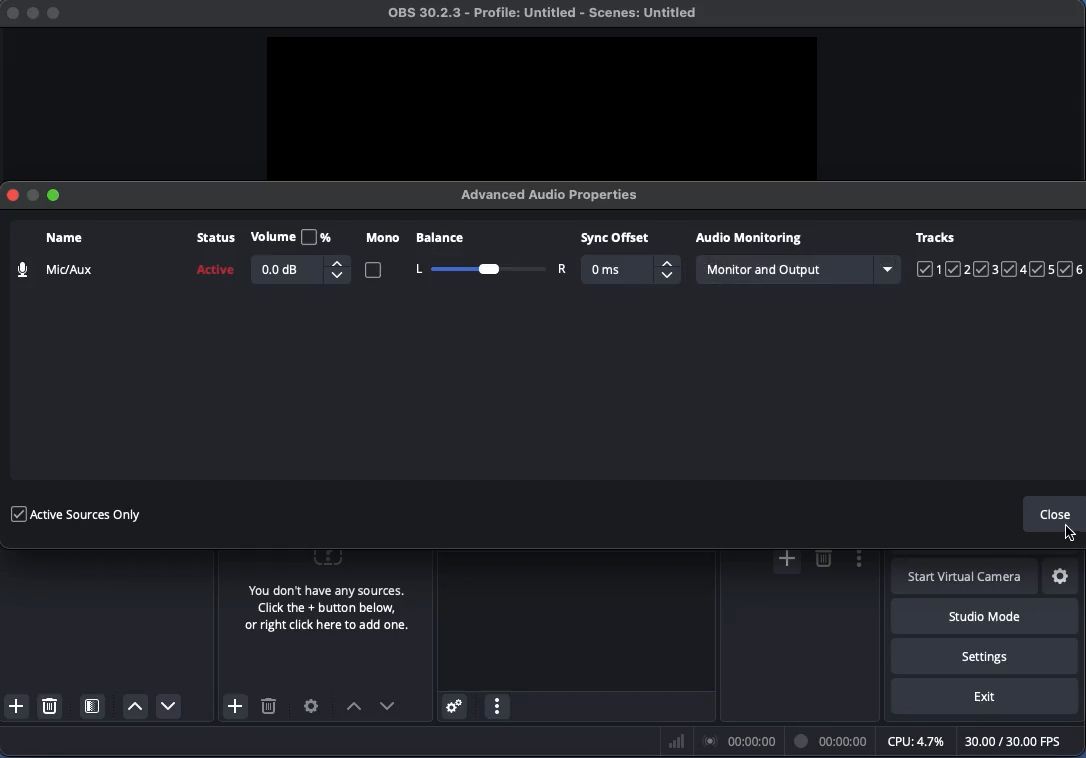 This screenshot has height=758, width=1086. I want to click on delete, so click(823, 559).